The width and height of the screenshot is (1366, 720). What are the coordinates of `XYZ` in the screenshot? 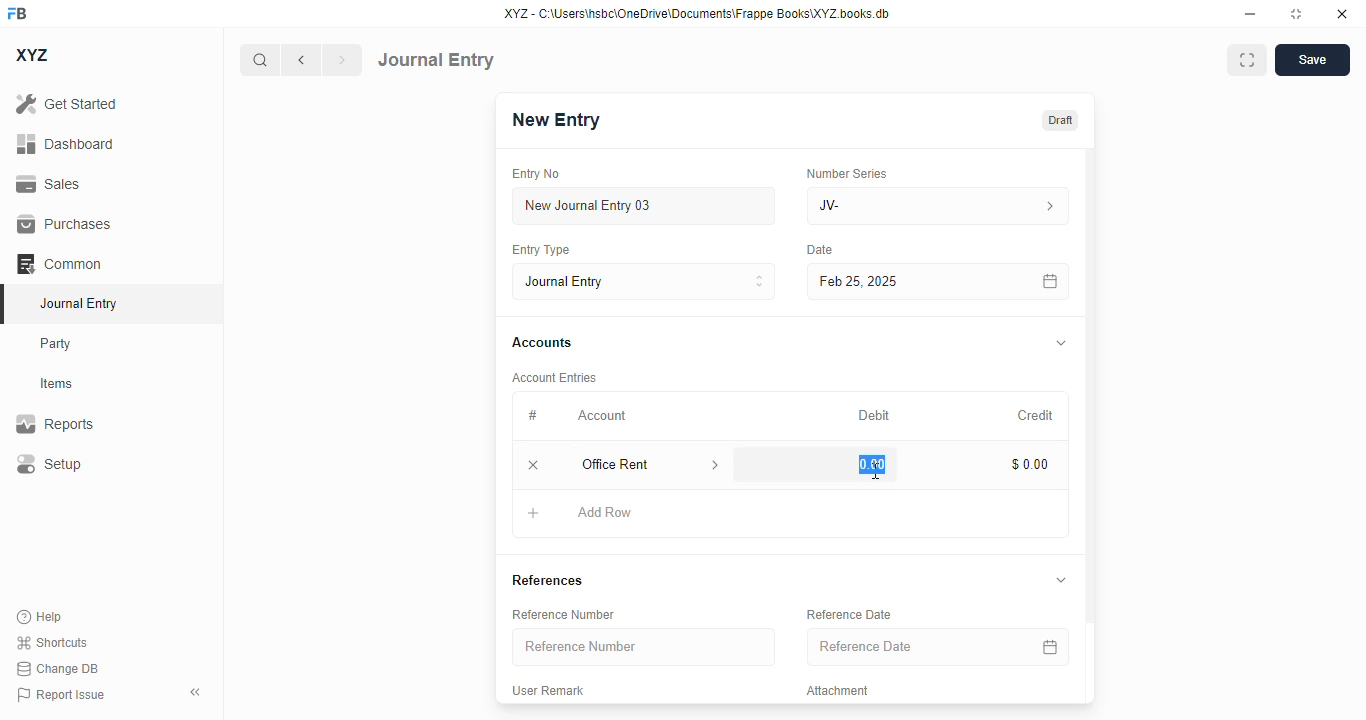 It's located at (33, 55).